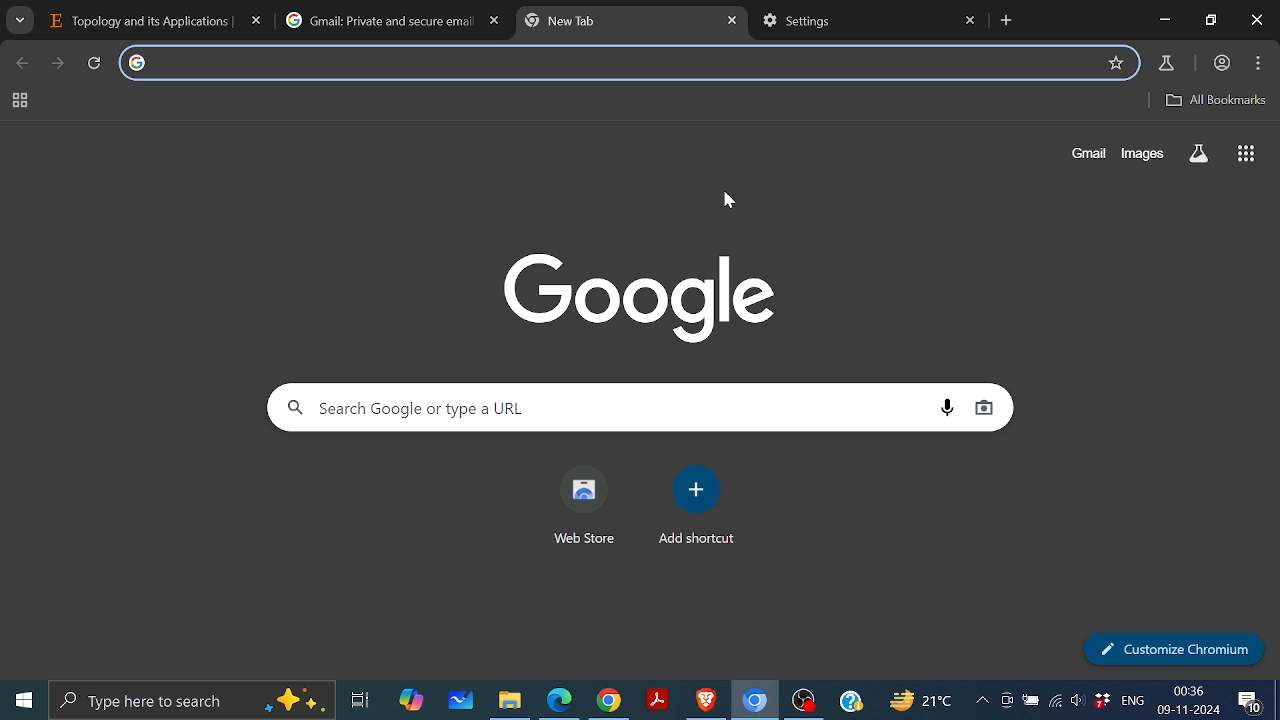 Image resolution: width=1280 pixels, height=720 pixels. What do you see at coordinates (58, 63) in the screenshot?
I see `Move to next page` at bounding box center [58, 63].